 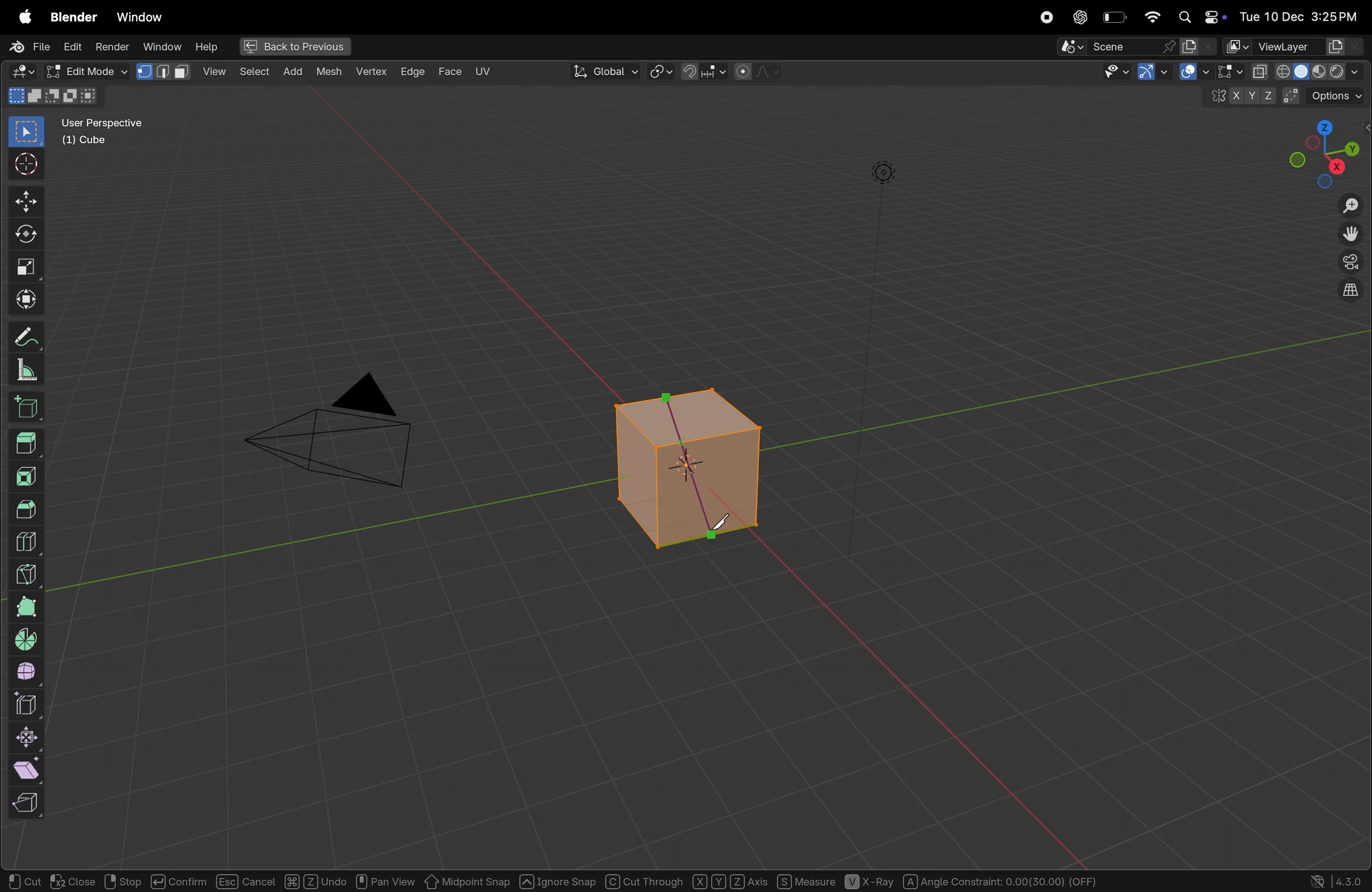 What do you see at coordinates (729, 880) in the screenshot?
I see `Axis` at bounding box center [729, 880].